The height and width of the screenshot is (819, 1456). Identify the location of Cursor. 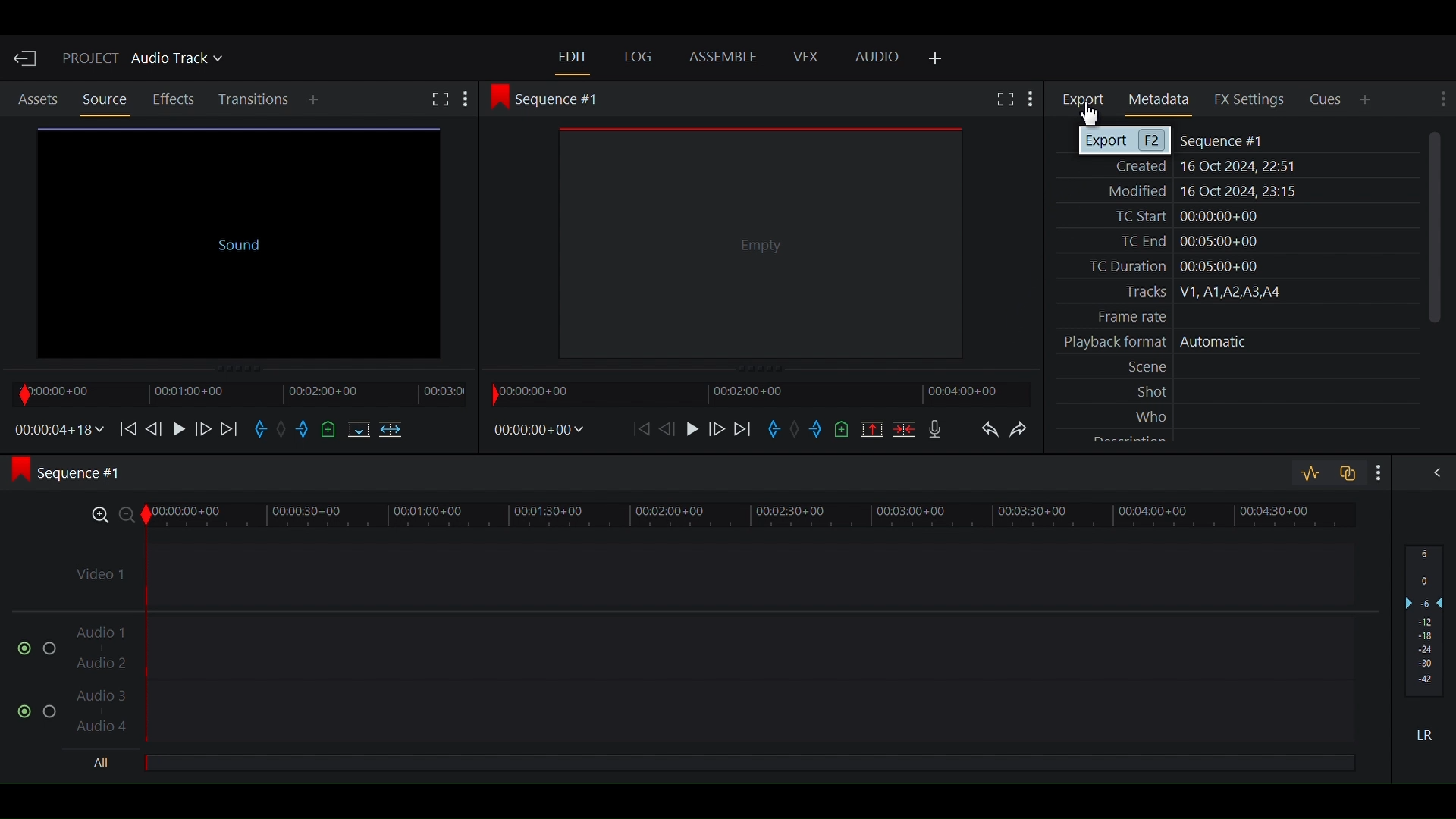
(1088, 114).